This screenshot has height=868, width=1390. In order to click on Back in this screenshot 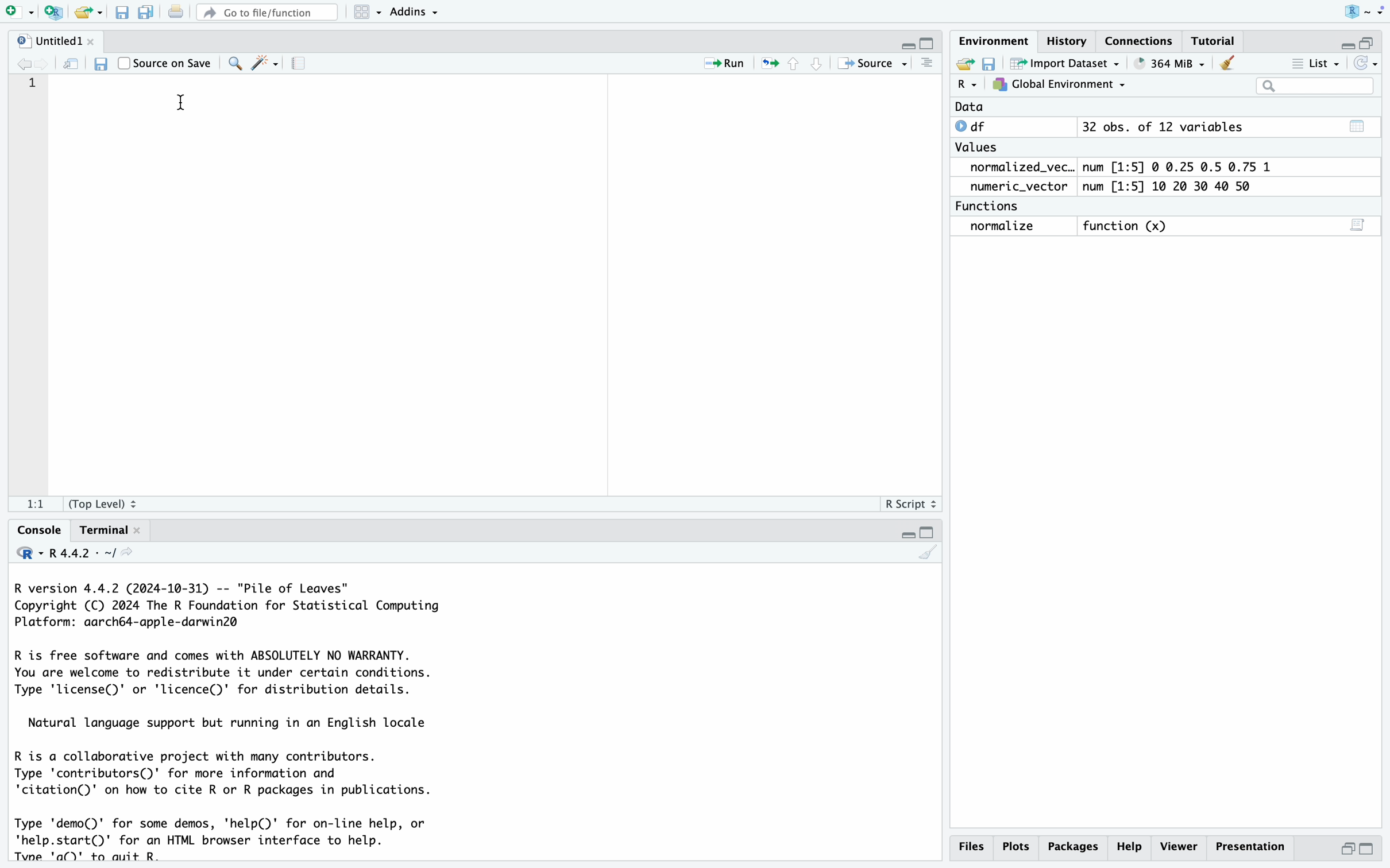, I will do `click(24, 63)`.